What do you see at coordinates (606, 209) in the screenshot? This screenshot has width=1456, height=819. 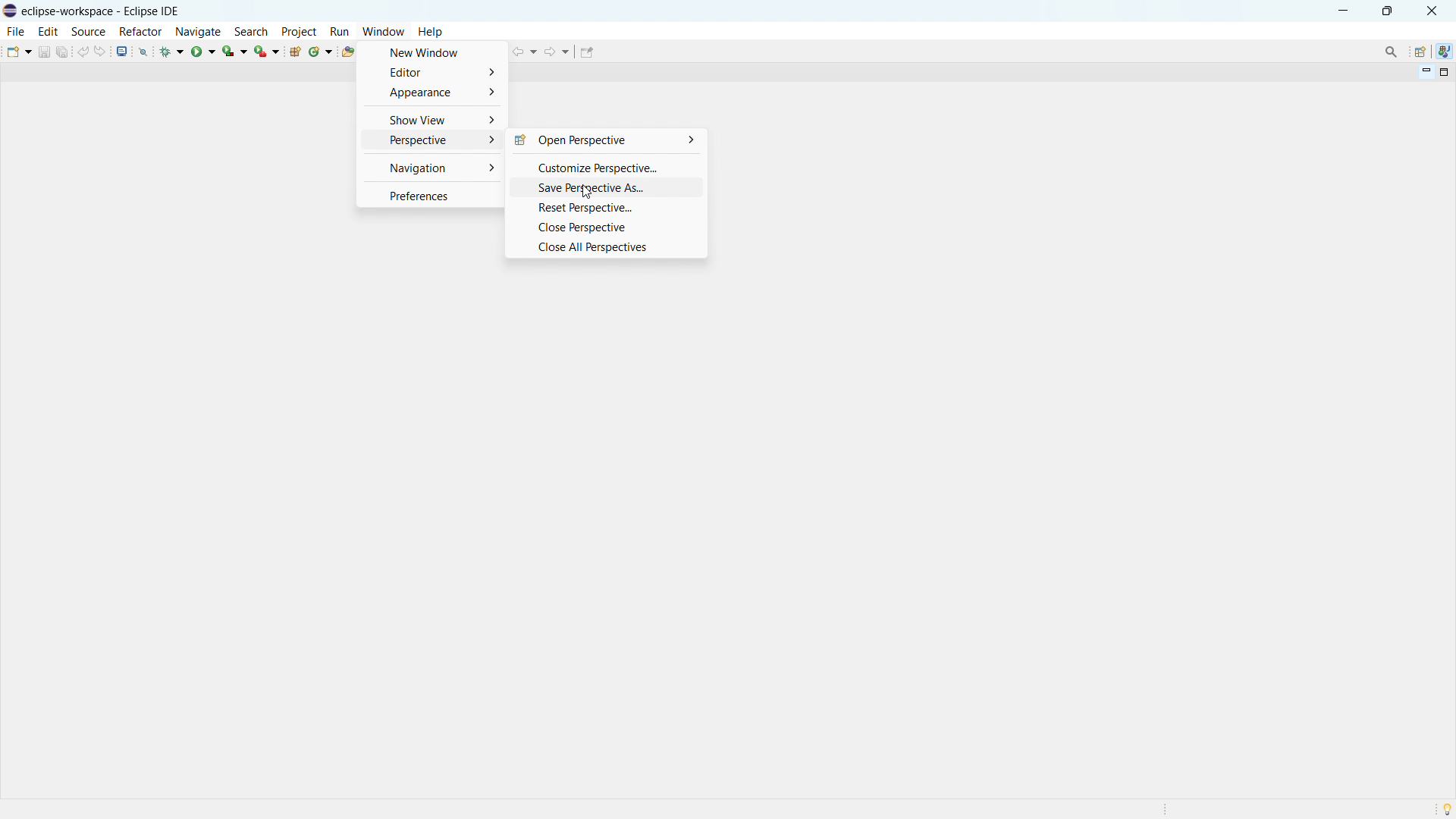 I see `reset perspective` at bounding box center [606, 209].